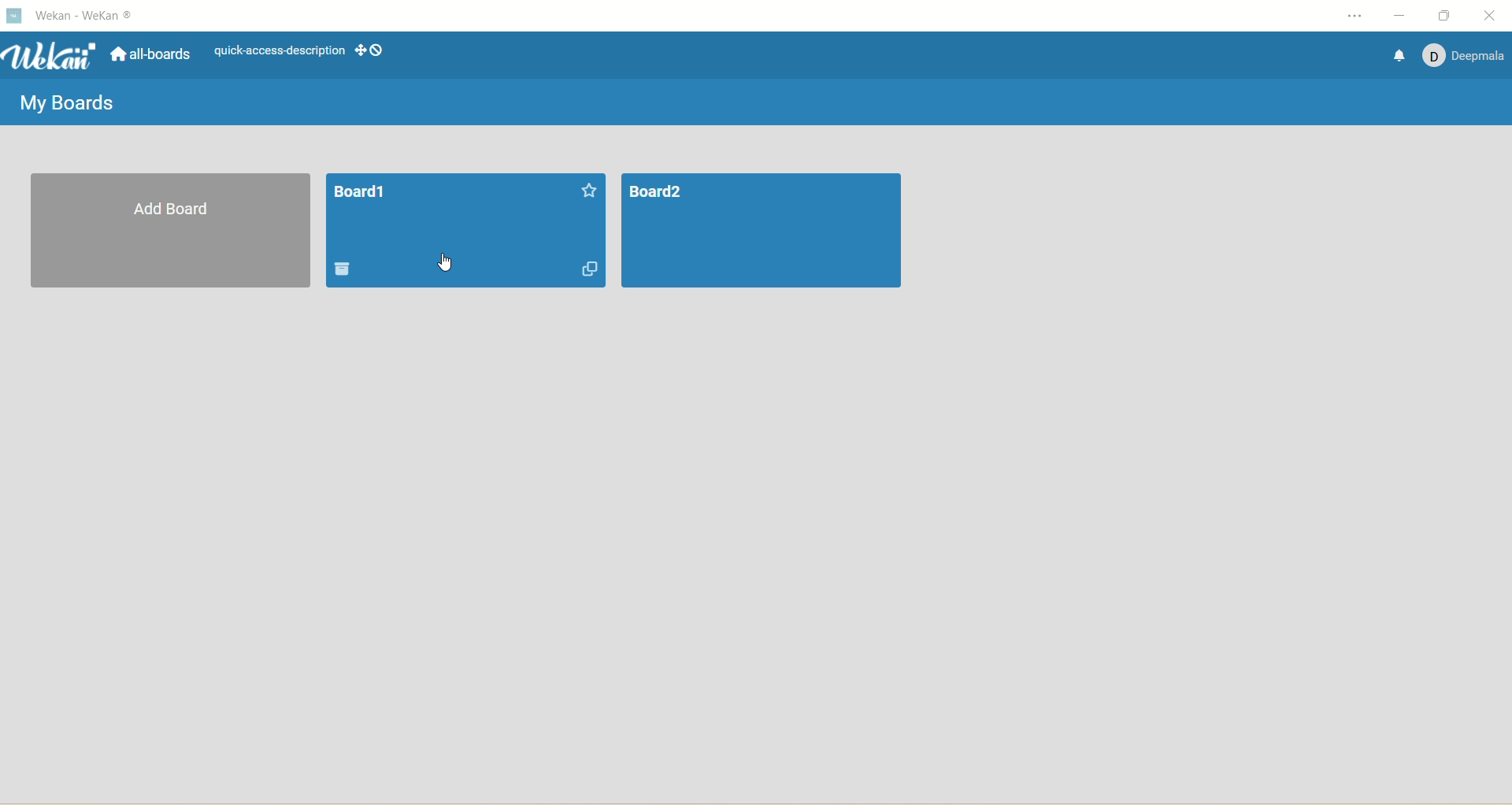 The height and width of the screenshot is (805, 1512). What do you see at coordinates (1396, 54) in the screenshot?
I see `notification` at bounding box center [1396, 54].